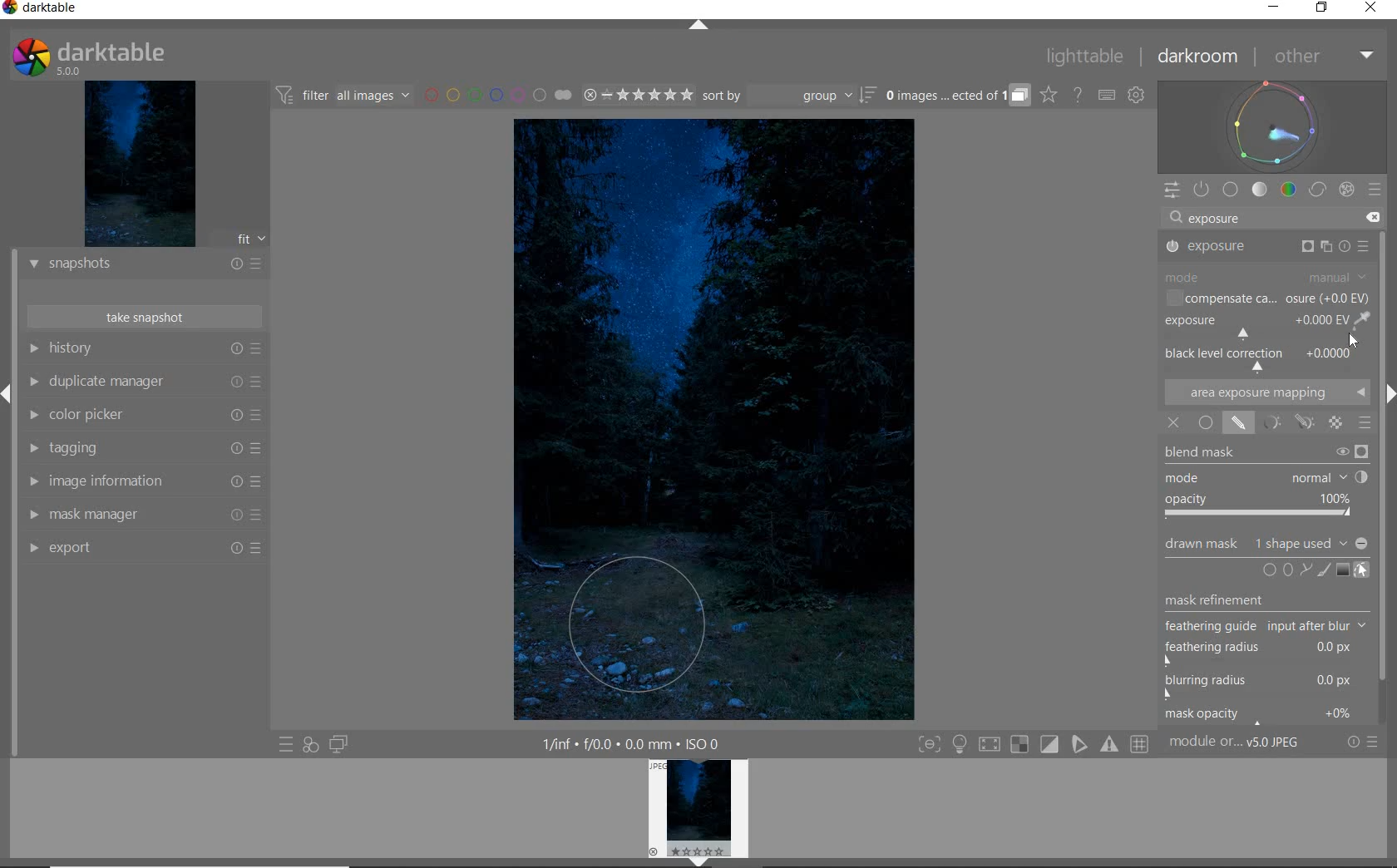  What do you see at coordinates (309, 746) in the screenshot?
I see `QUICK ACCESS FOR APPLYING ANY OF YOUR STYLES` at bounding box center [309, 746].